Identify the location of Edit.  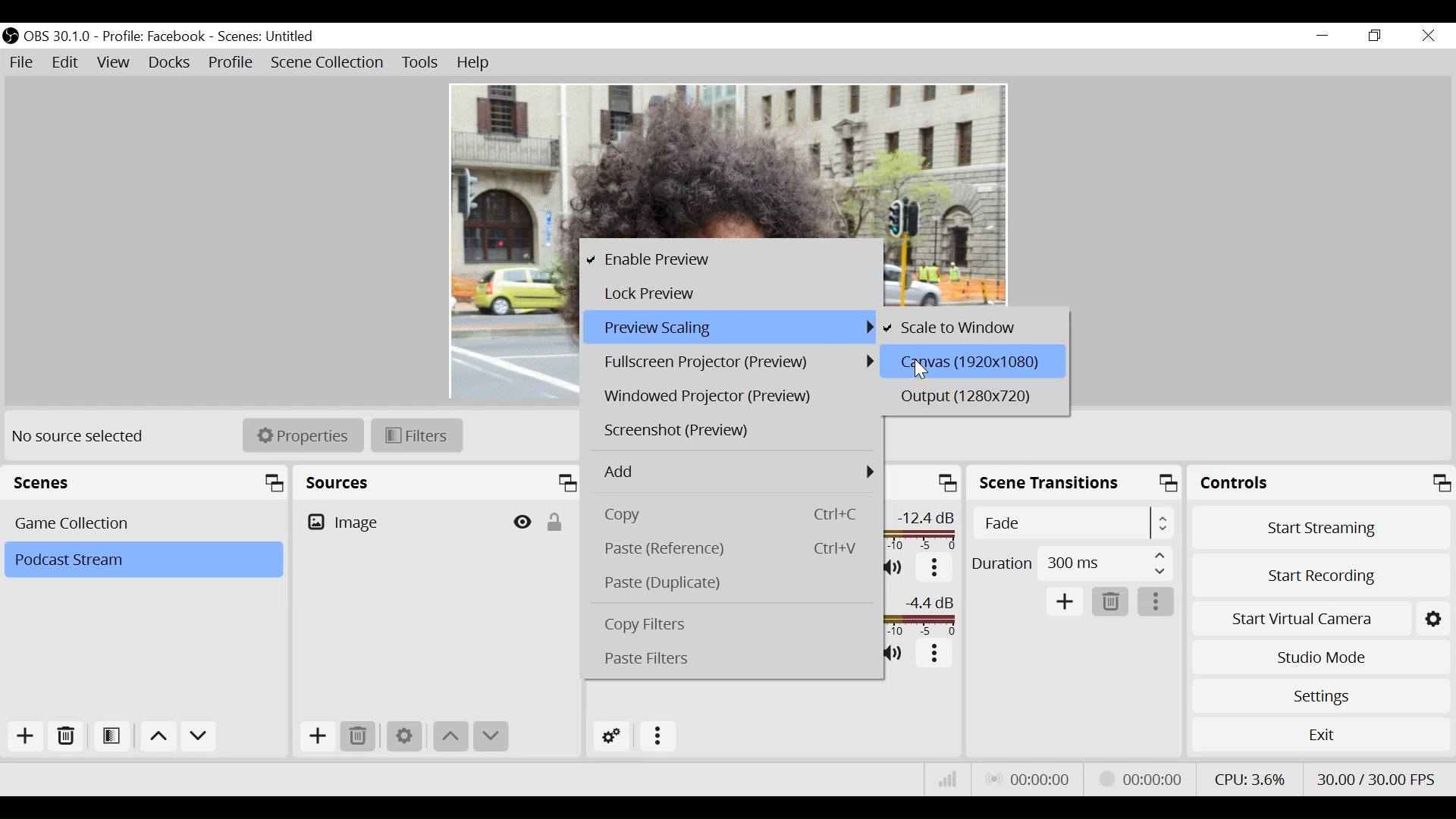
(64, 64).